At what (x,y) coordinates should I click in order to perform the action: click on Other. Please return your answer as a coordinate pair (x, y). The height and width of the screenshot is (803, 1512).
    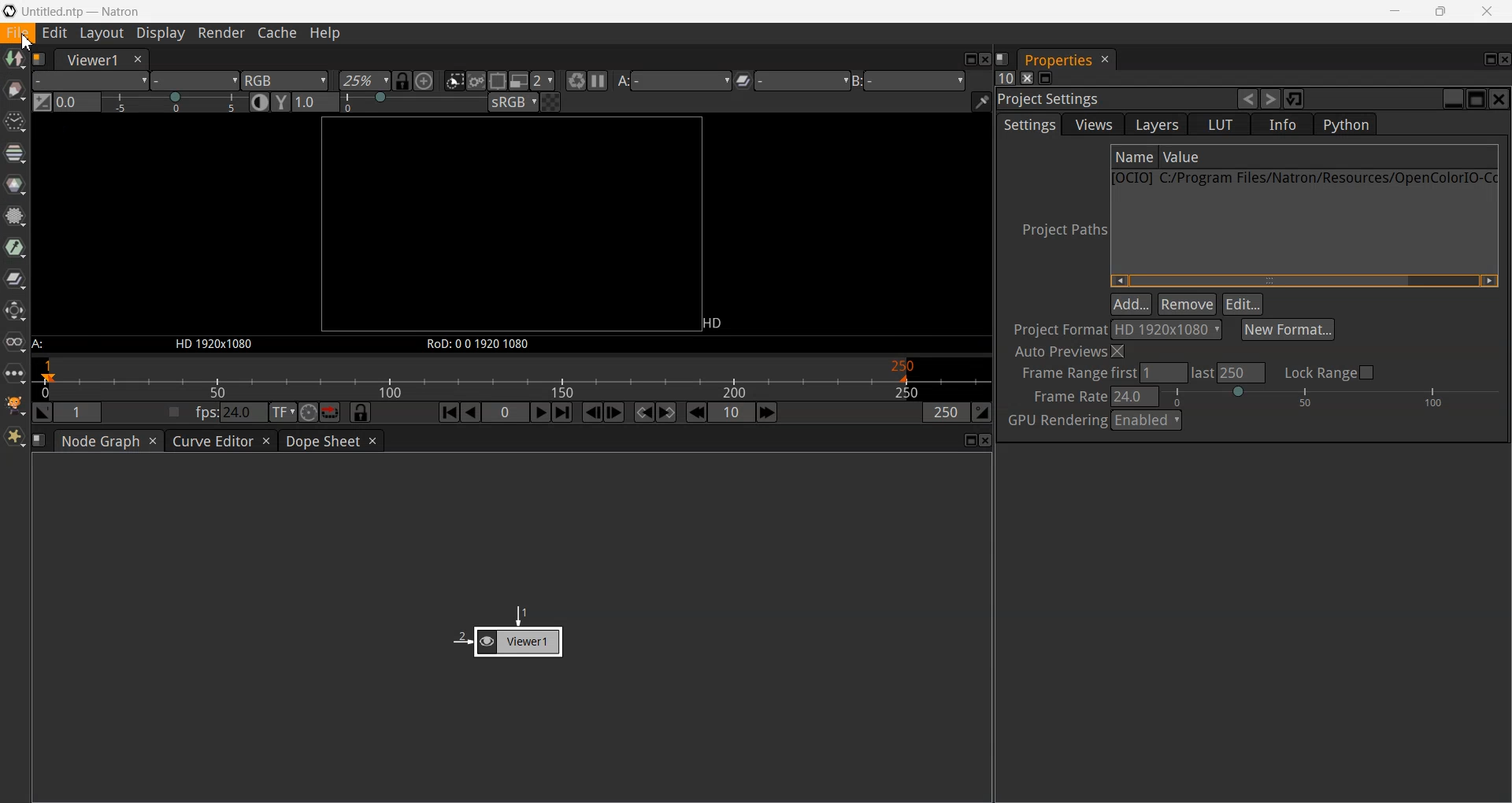
    Looking at the image, I should click on (15, 373).